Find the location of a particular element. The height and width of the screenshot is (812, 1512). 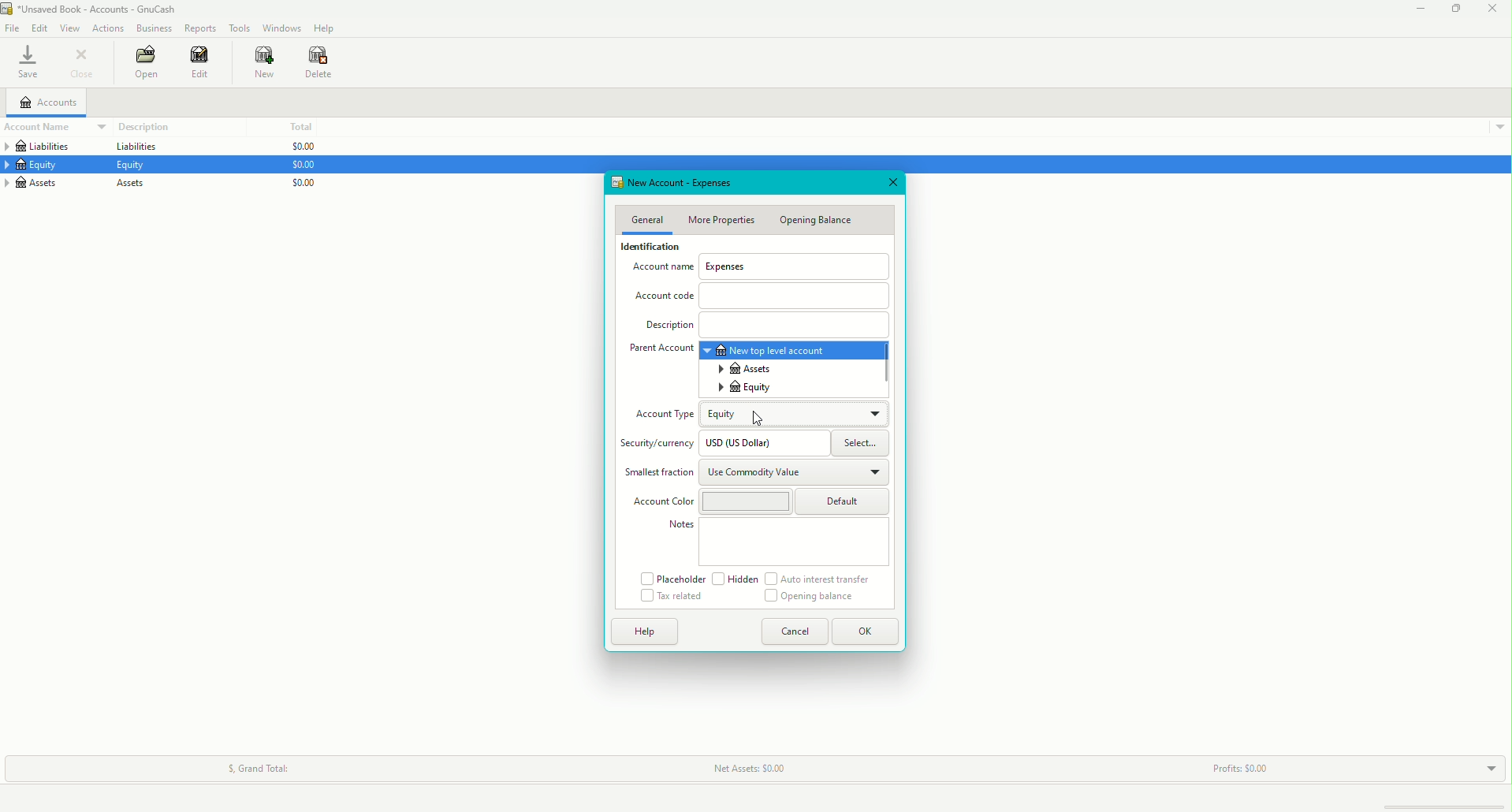

Assets is located at coordinates (751, 371).